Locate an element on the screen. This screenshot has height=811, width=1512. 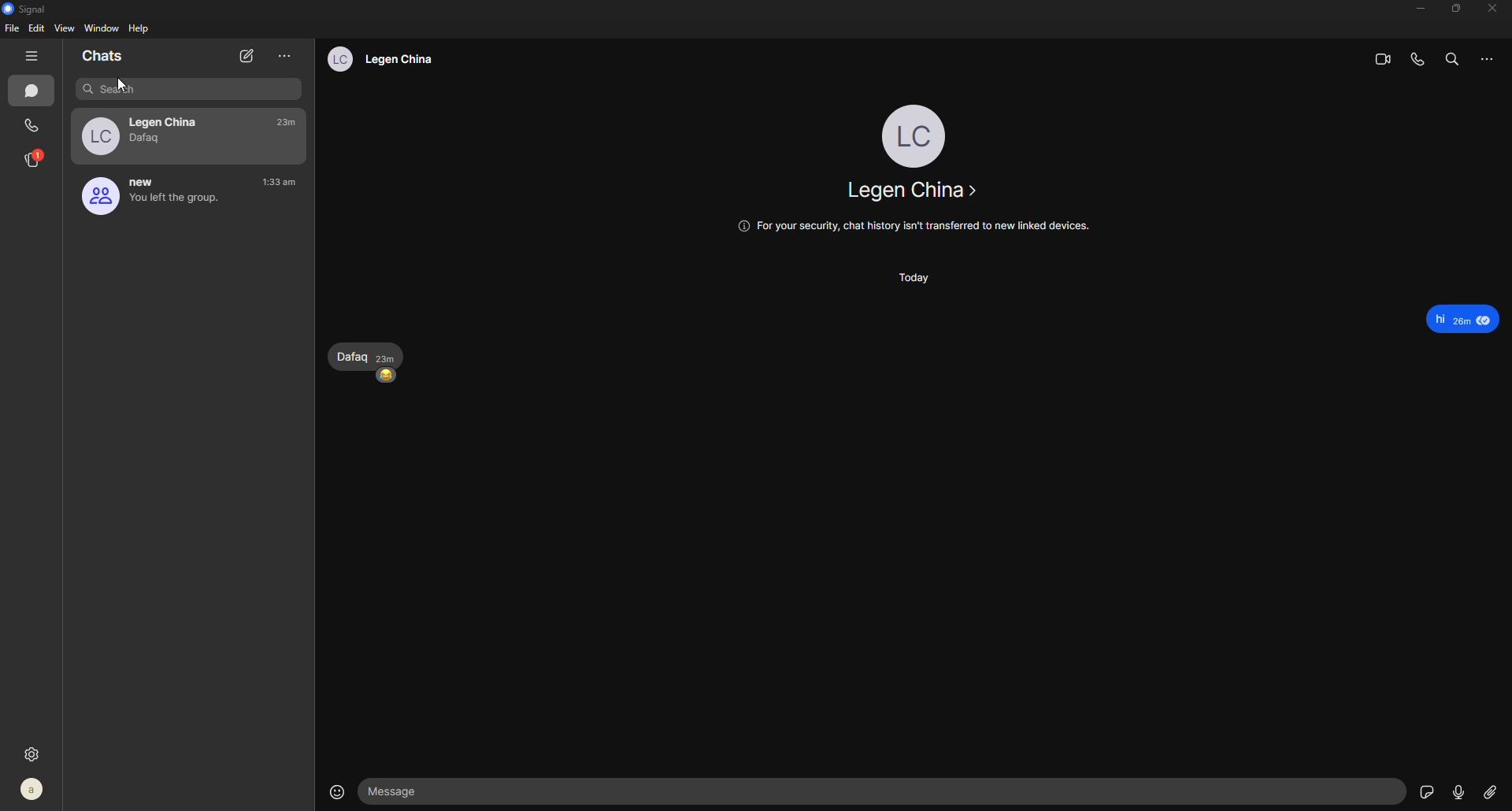
search bar is located at coordinates (191, 90).